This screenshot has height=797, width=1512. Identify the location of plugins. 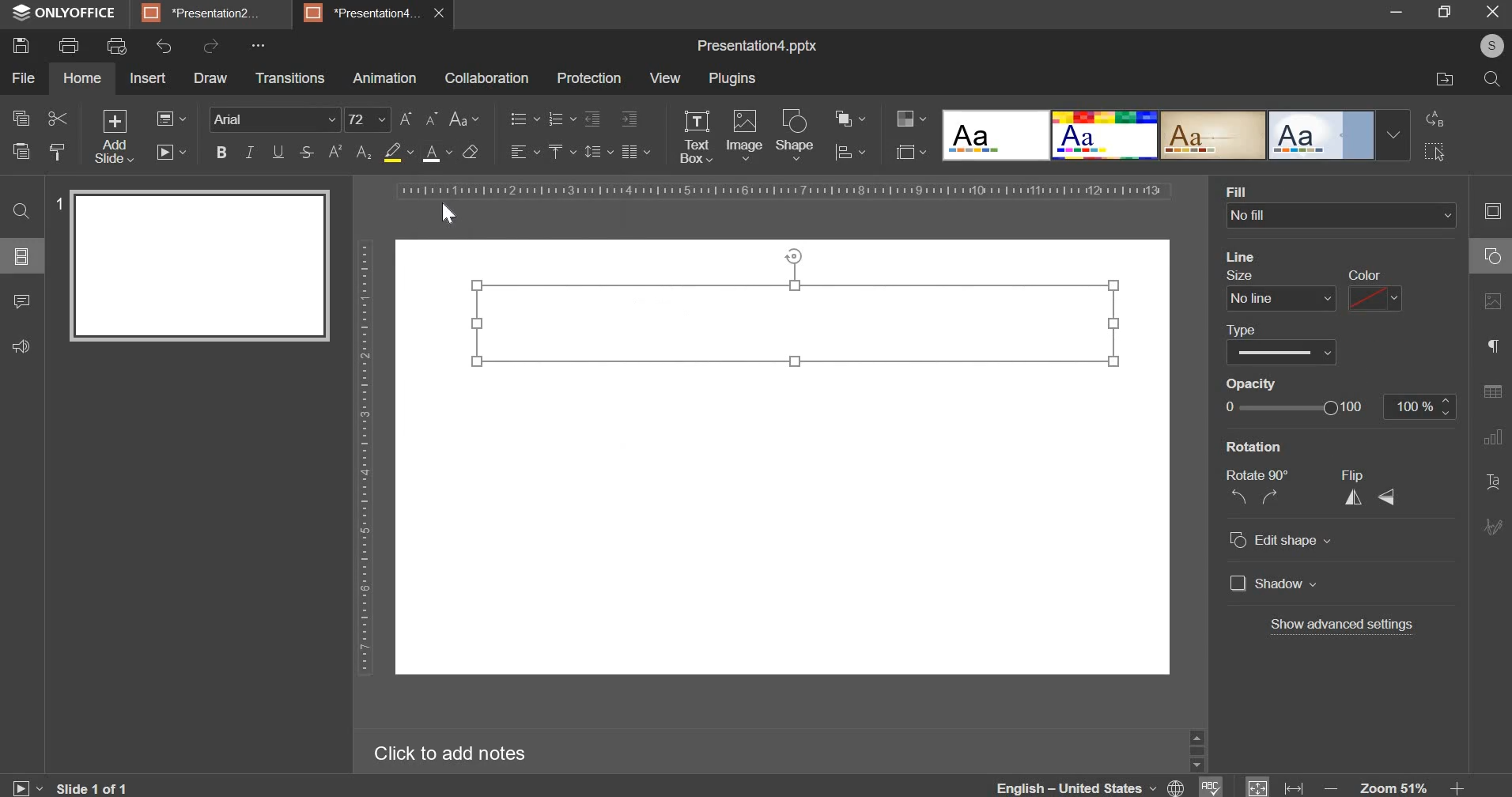
(732, 80).